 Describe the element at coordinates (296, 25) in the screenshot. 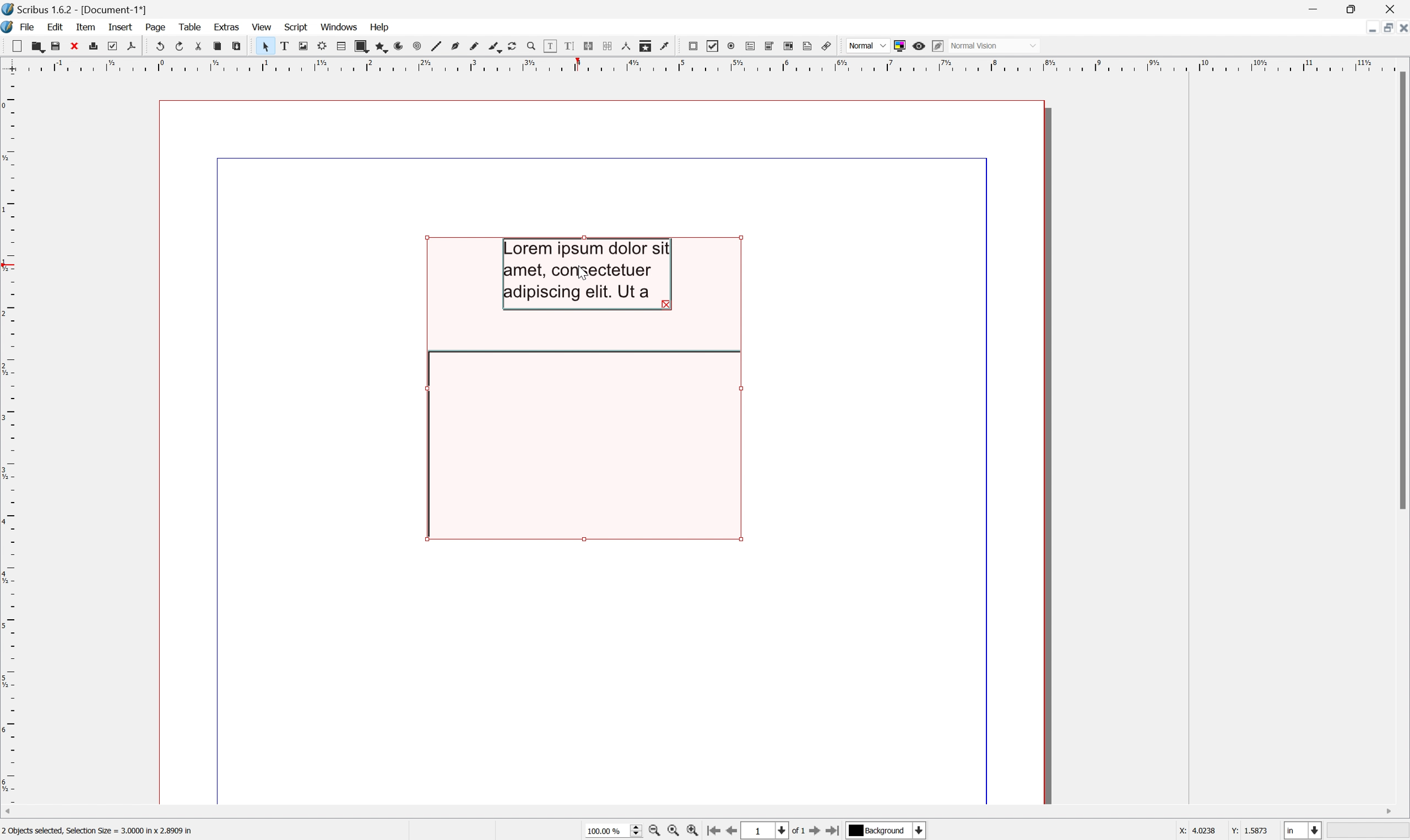

I see `Script` at that location.